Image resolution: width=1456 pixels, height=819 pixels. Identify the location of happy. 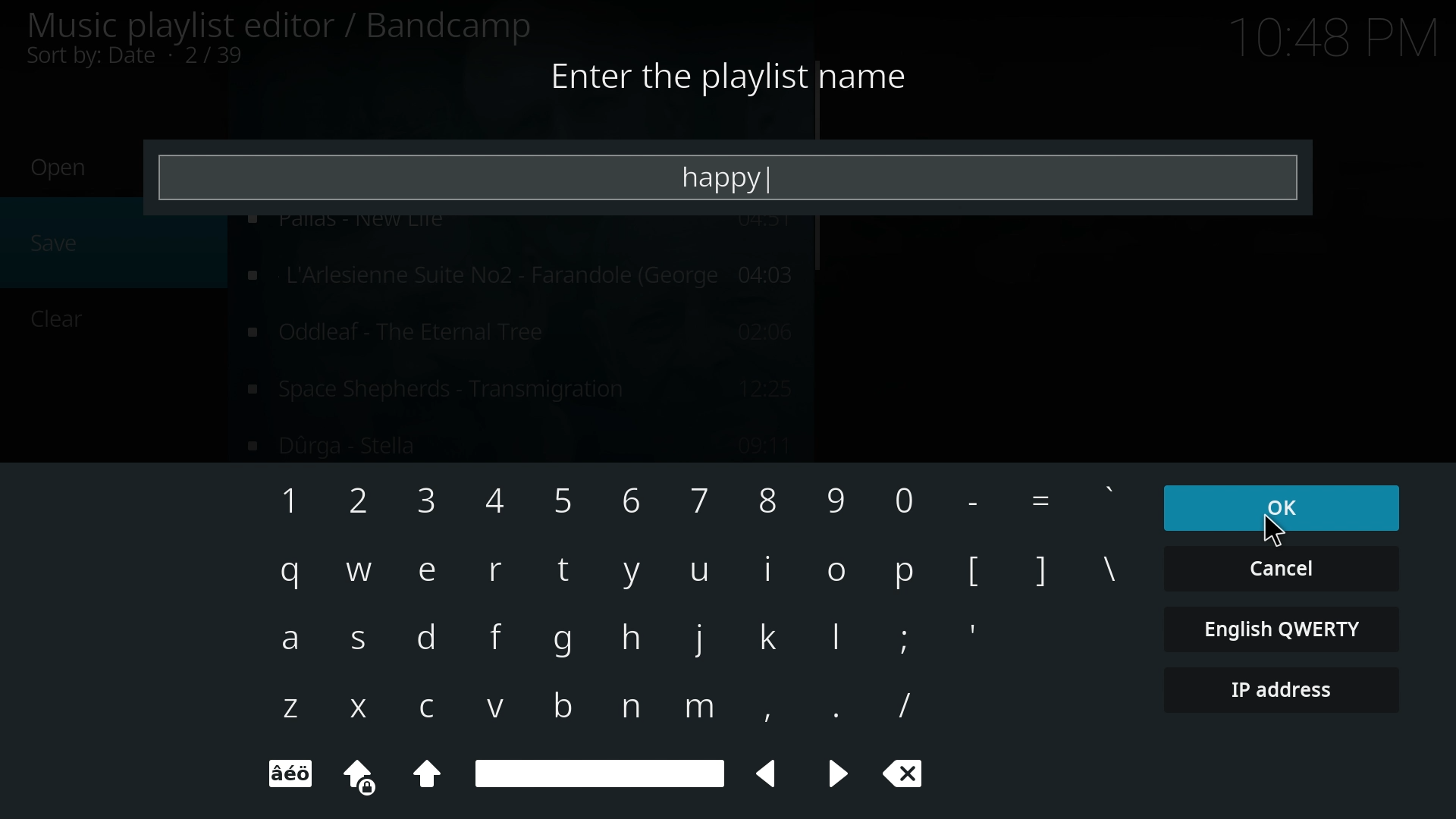
(726, 179).